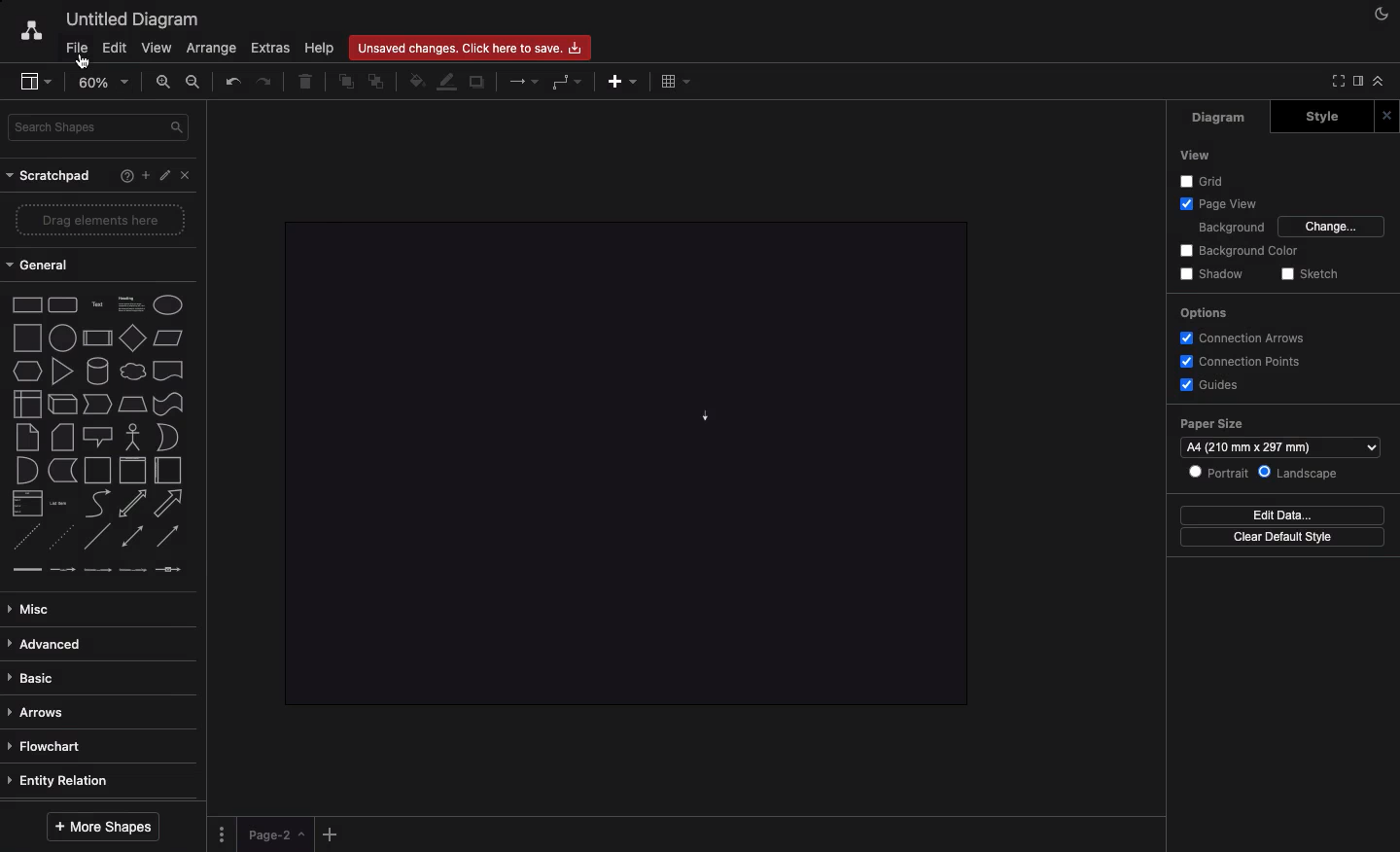  What do you see at coordinates (345, 83) in the screenshot?
I see `To front` at bounding box center [345, 83].